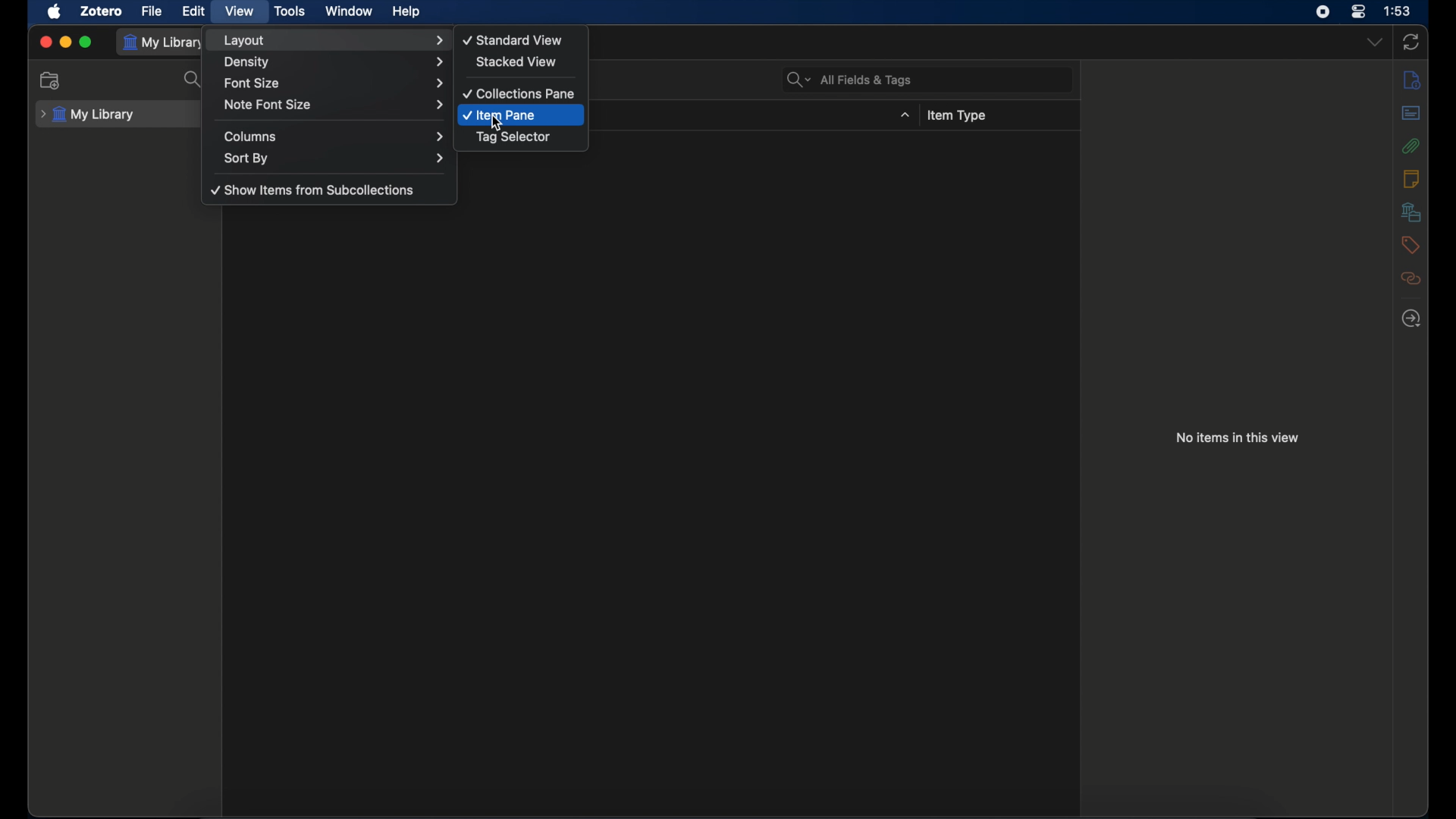  Describe the element at coordinates (51, 81) in the screenshot. I see `new collection` at that location.